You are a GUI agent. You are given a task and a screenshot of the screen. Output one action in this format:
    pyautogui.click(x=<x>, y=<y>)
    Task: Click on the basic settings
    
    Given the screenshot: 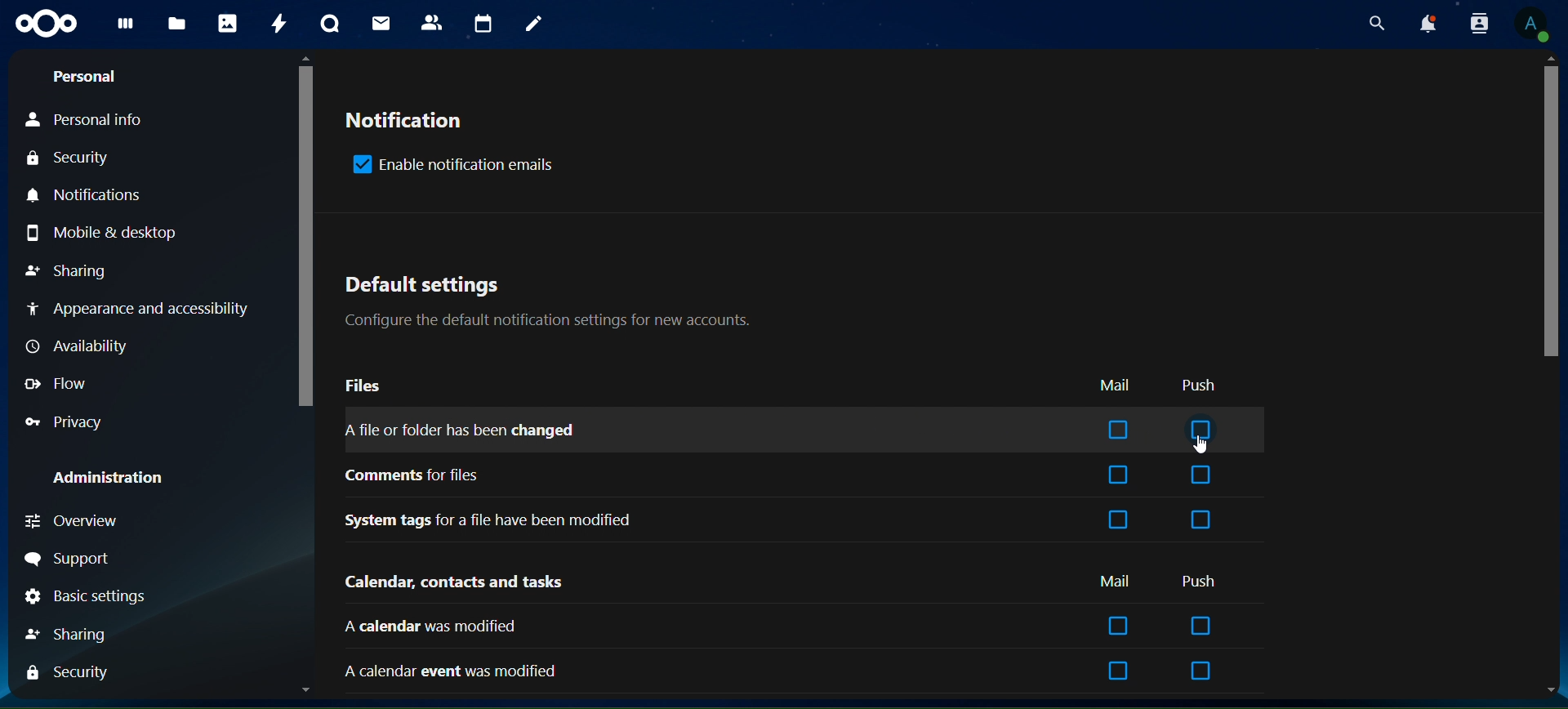 What is the action you would take?
    pyautogui.click(x=87, y=596)
    